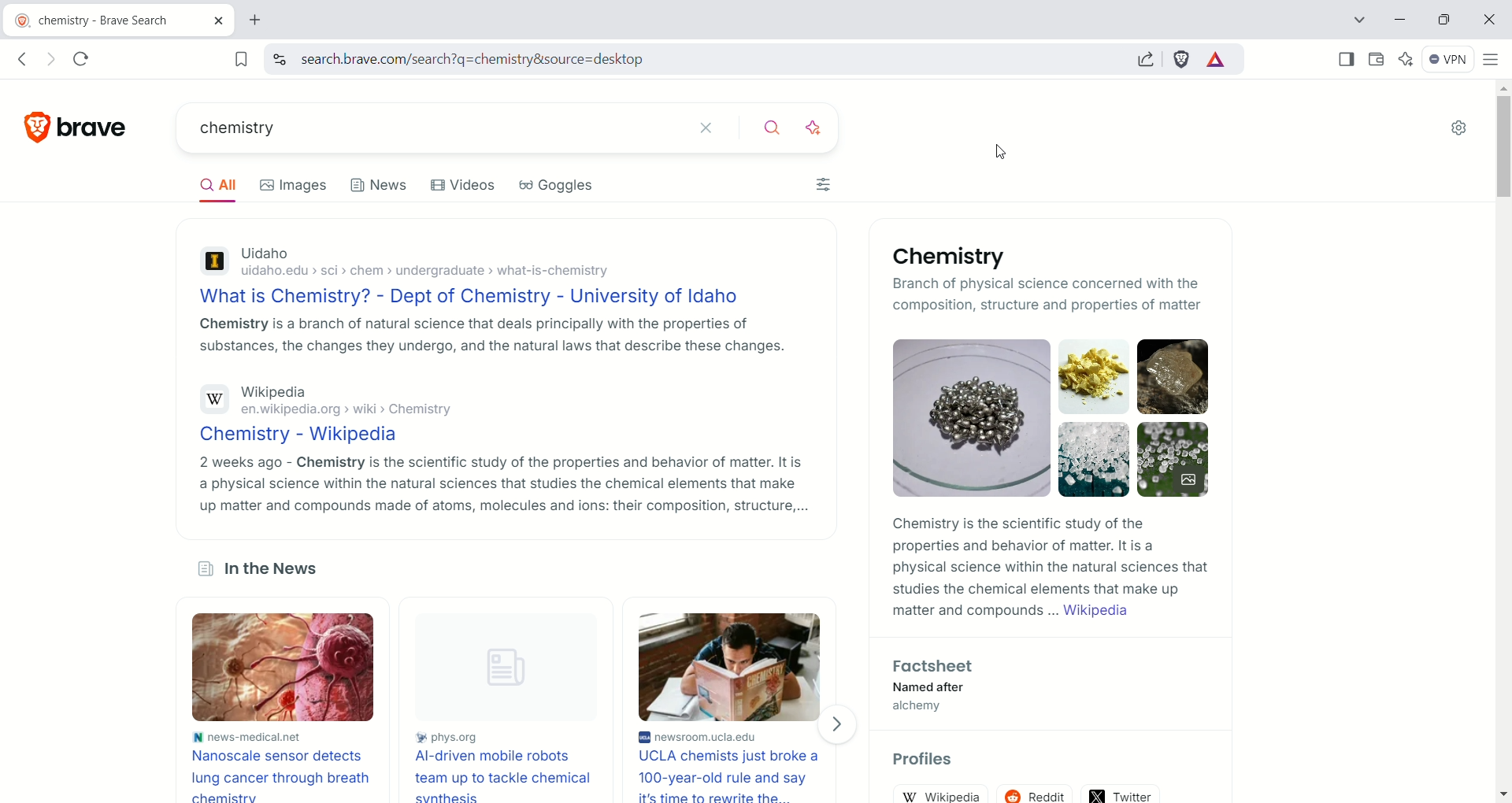 The image size is (1512, 803). I want to click on Named after, so click(930, 688).